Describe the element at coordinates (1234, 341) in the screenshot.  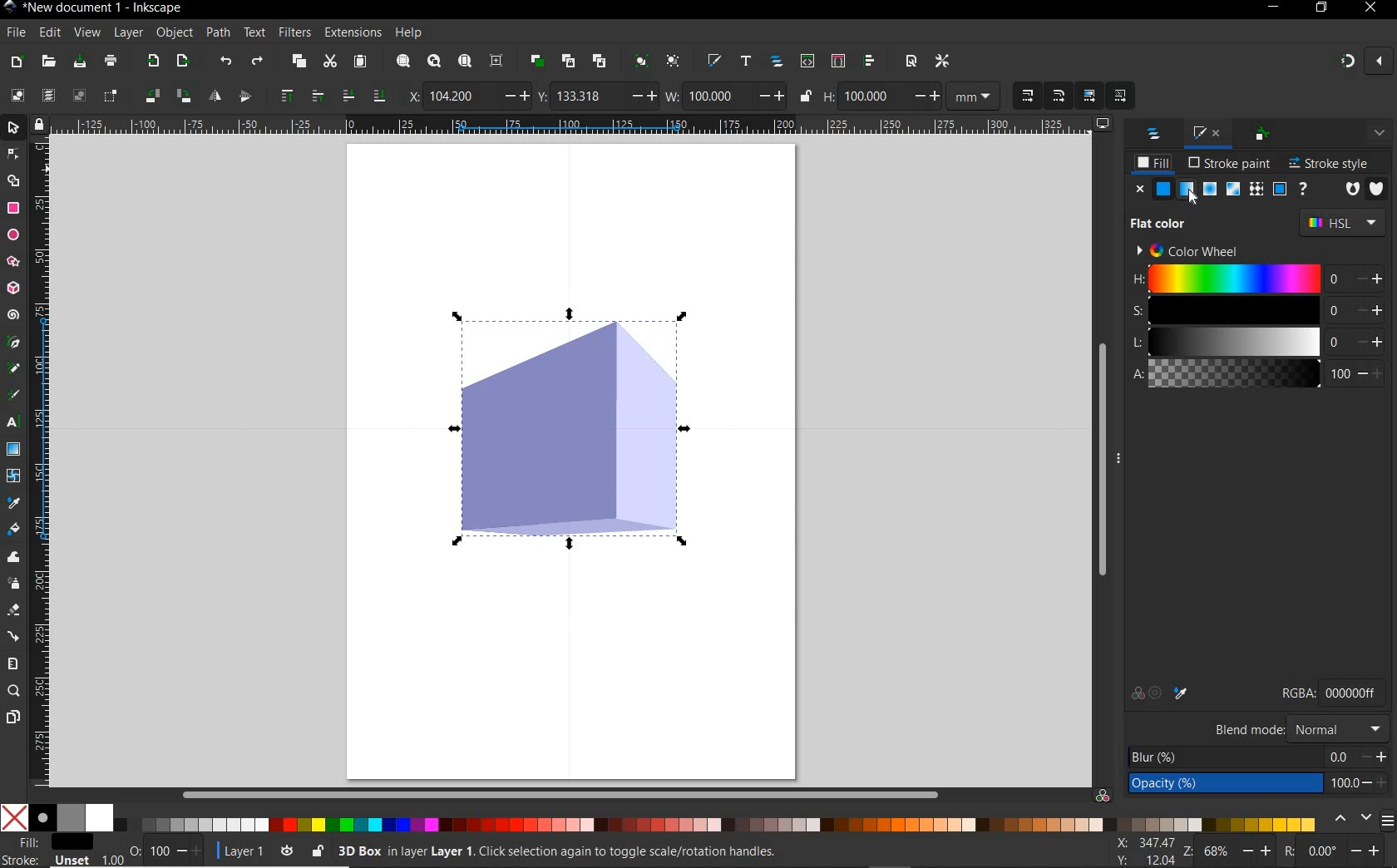
I see `L` at that location.